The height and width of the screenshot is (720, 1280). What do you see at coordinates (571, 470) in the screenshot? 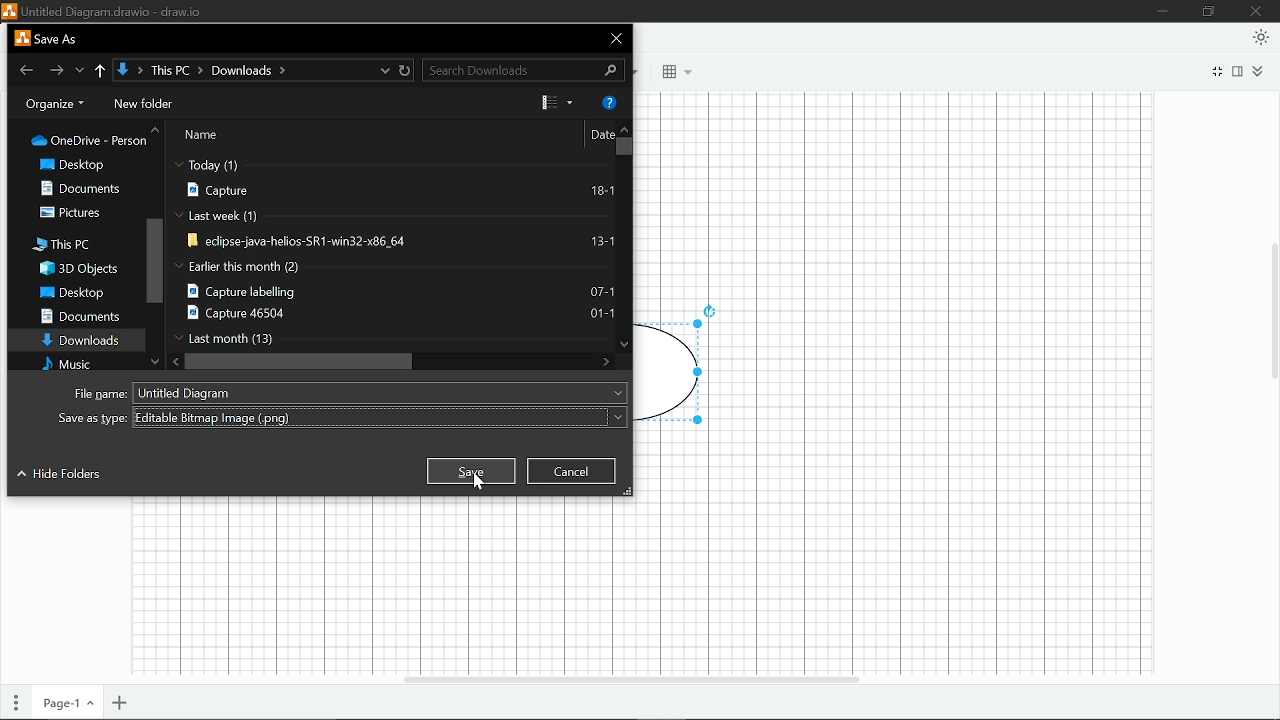
I see `Cancel` at bounding box center [571, 470].